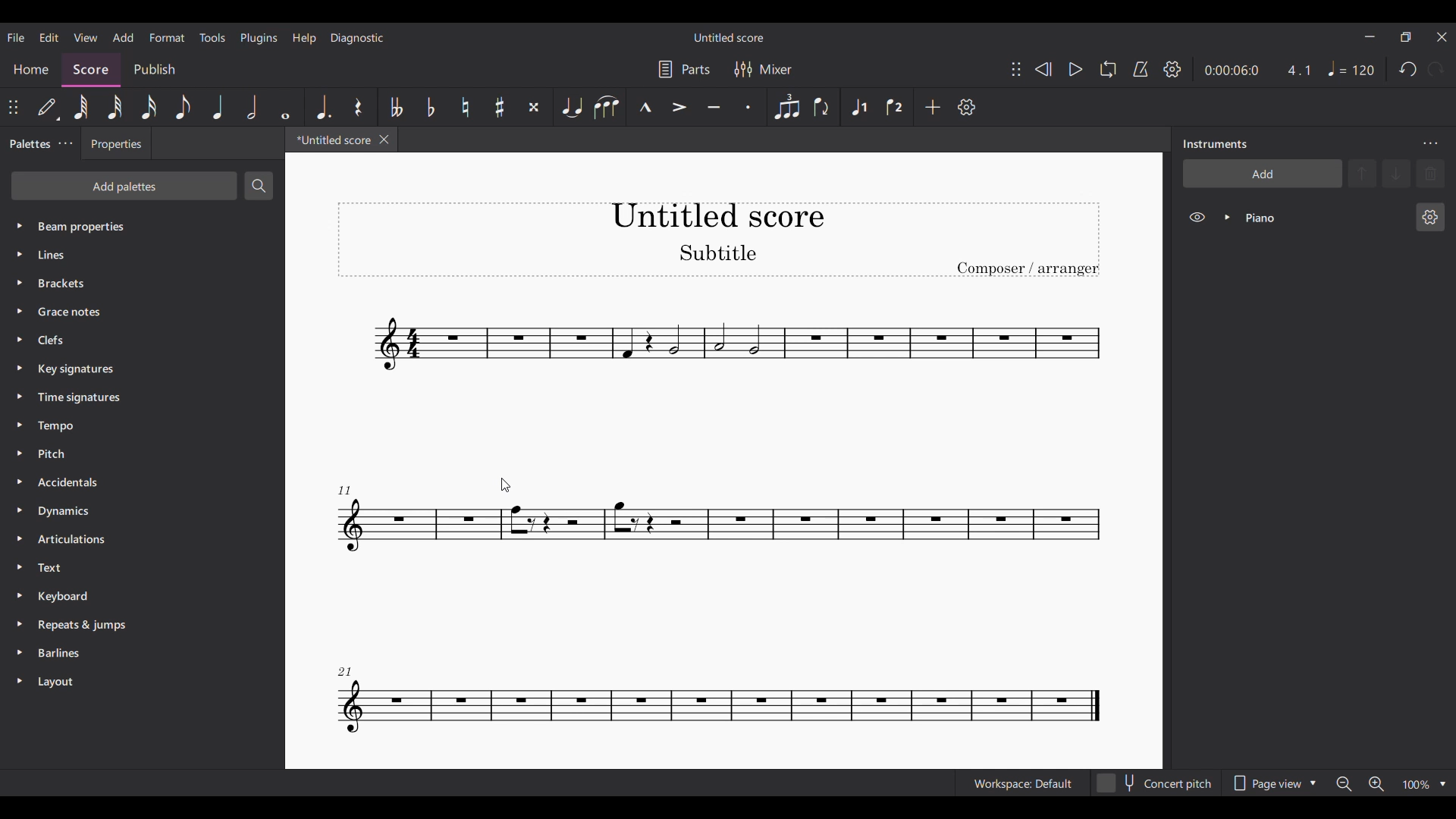 Image resolution: width=1456 pixels, height=819 pixels. What do you see at coordinates (322, 107) in the screenshot?
I see `Augmentation dot` at bounding box center [322, 107].